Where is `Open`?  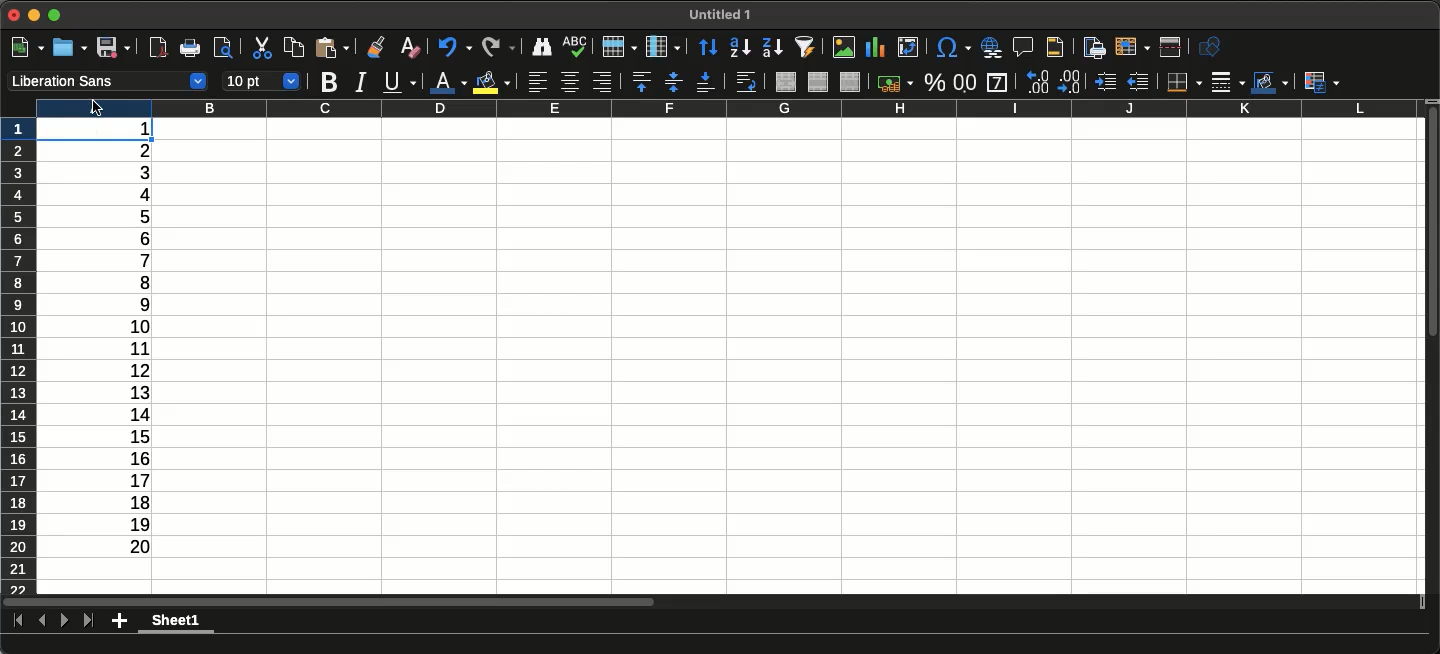 Open is located at coordinates (69, 48).